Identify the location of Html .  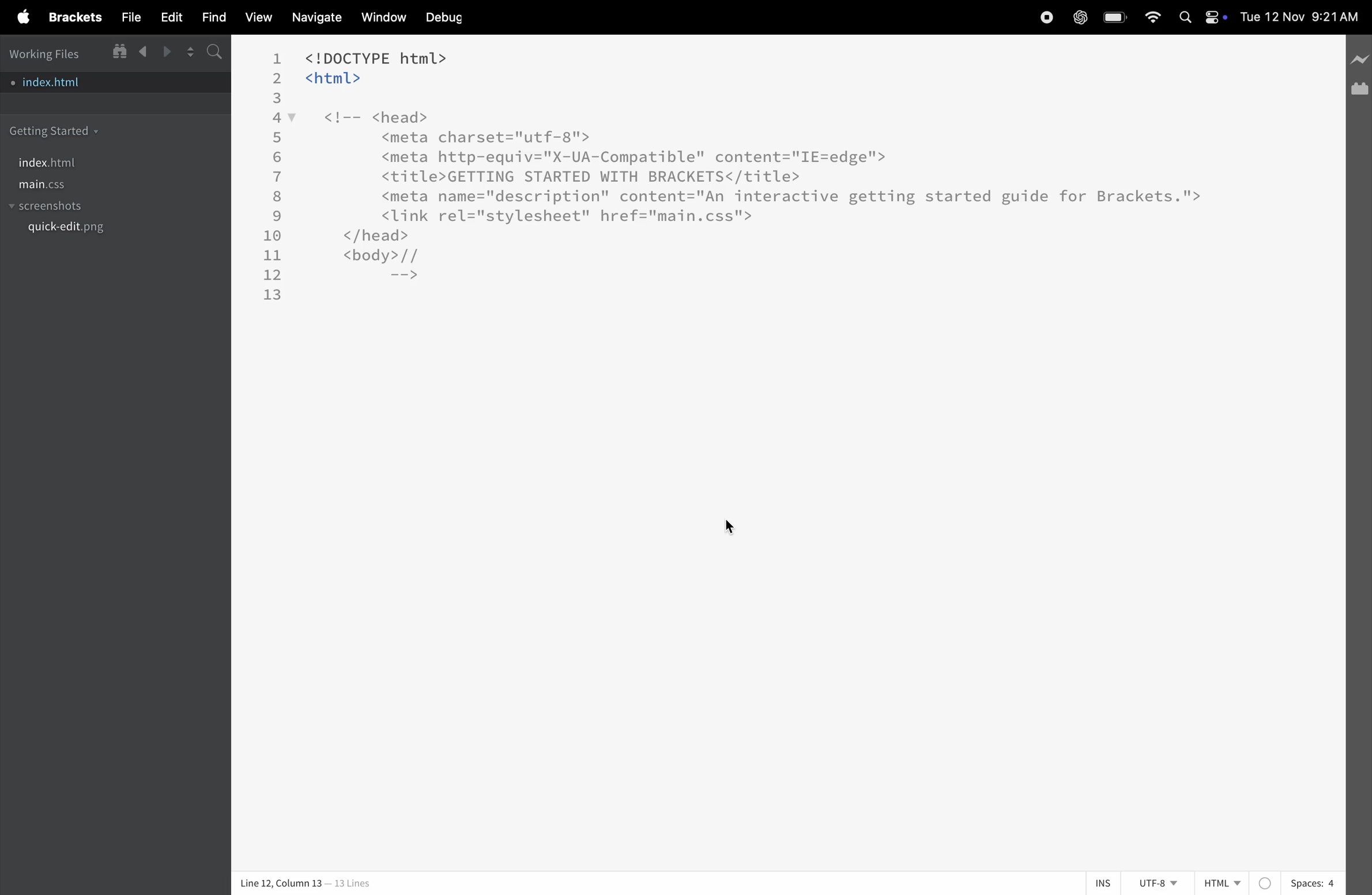
(1237, 883).